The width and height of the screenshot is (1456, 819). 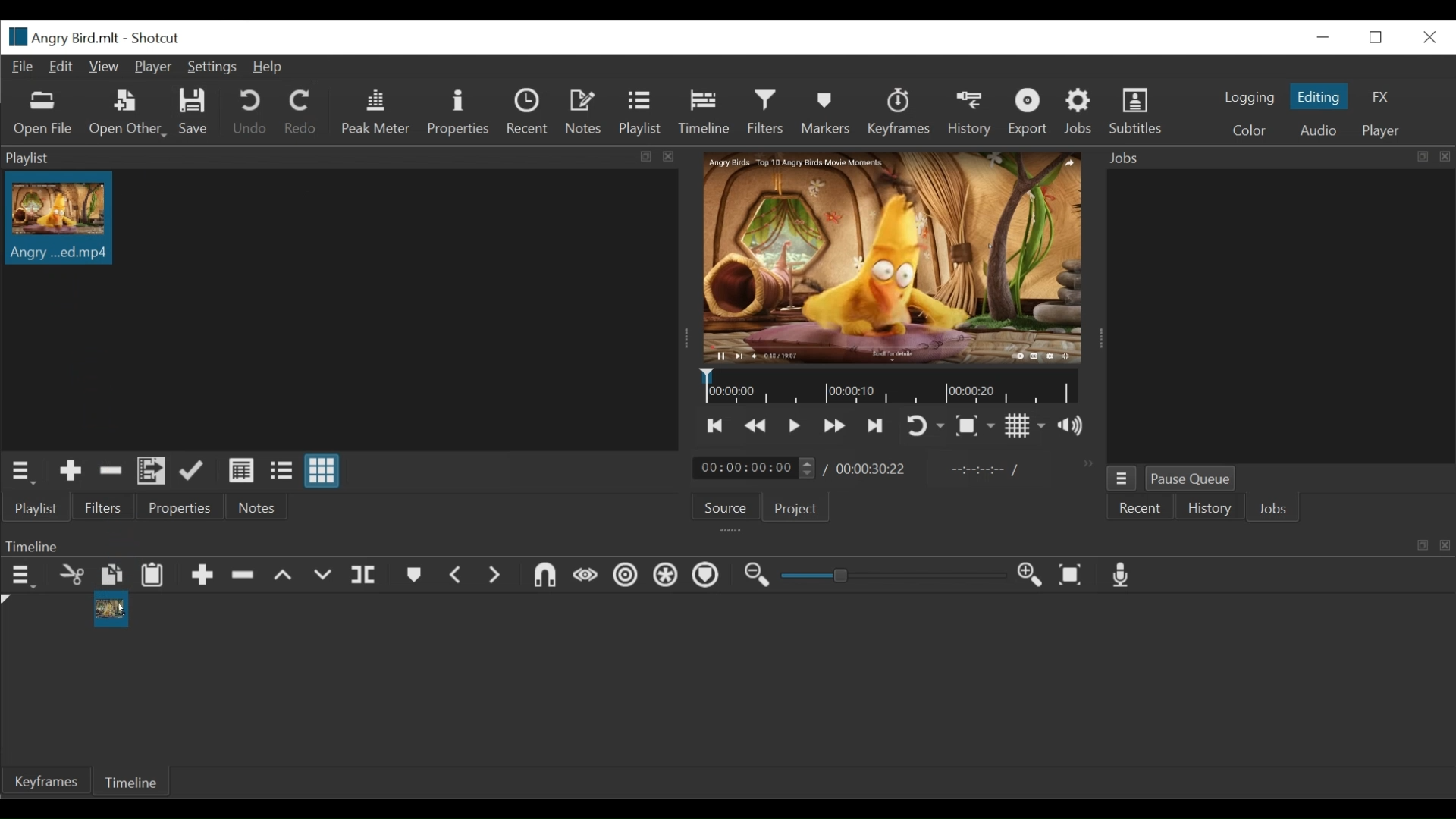 I want to click on Skip to the previous point, so click(x=717, y=425).